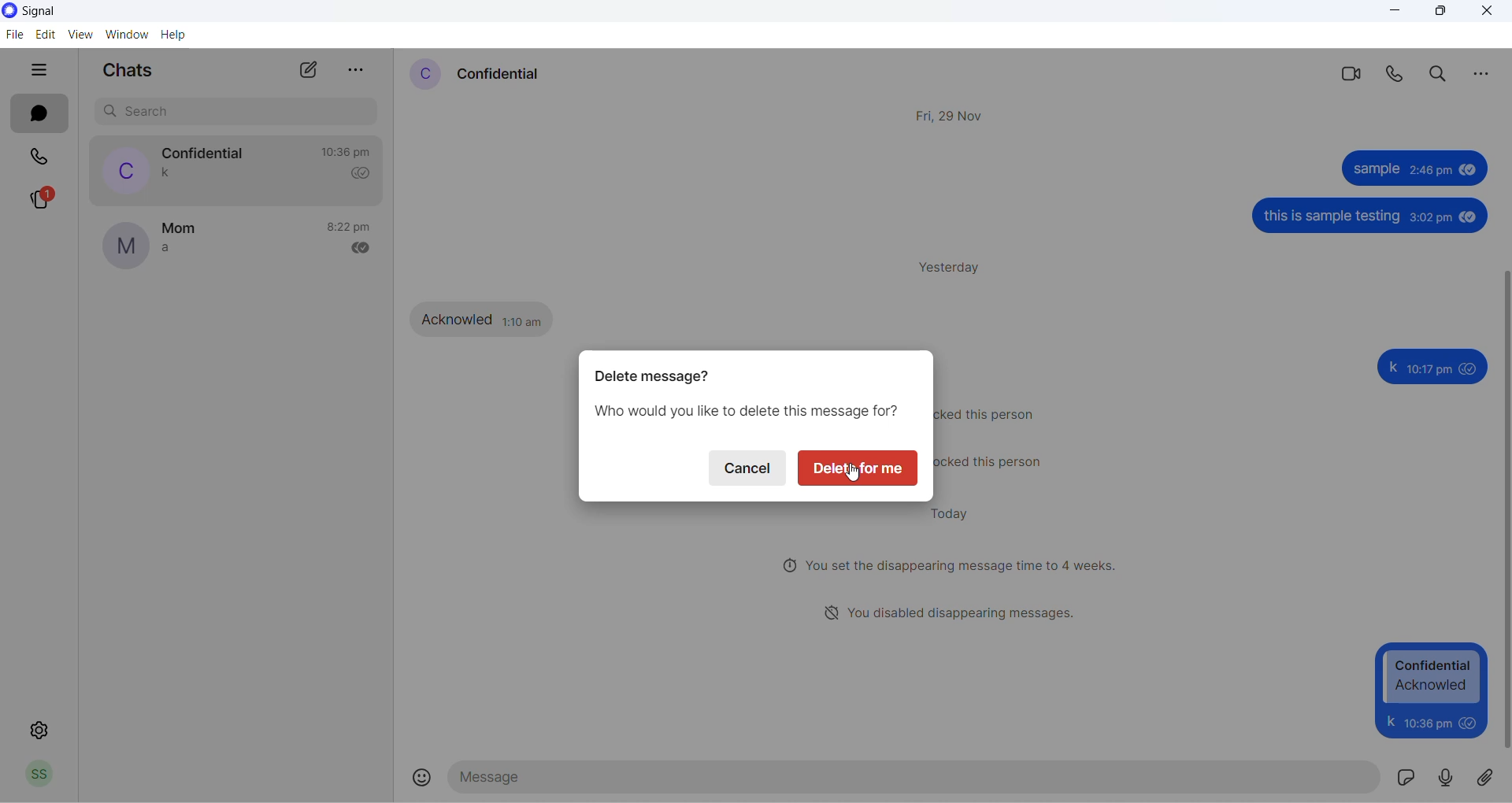  What do you see at coordinates (14, 35) in the screenshot?
I see `file` at bounding box center [14, 35].